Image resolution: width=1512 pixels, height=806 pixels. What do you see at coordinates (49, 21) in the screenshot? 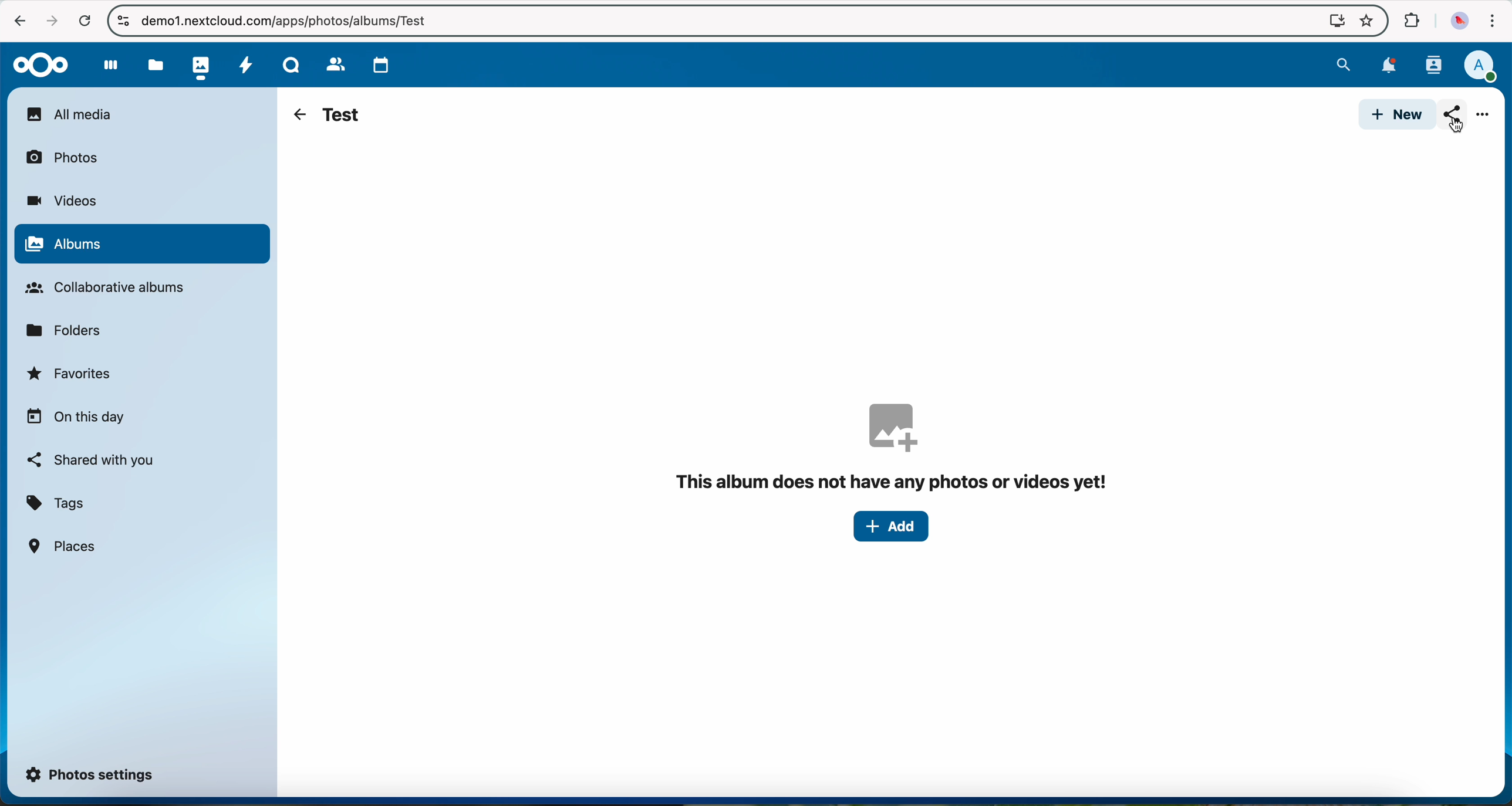
I see `navigate foward` at bounding box center [49, 21].